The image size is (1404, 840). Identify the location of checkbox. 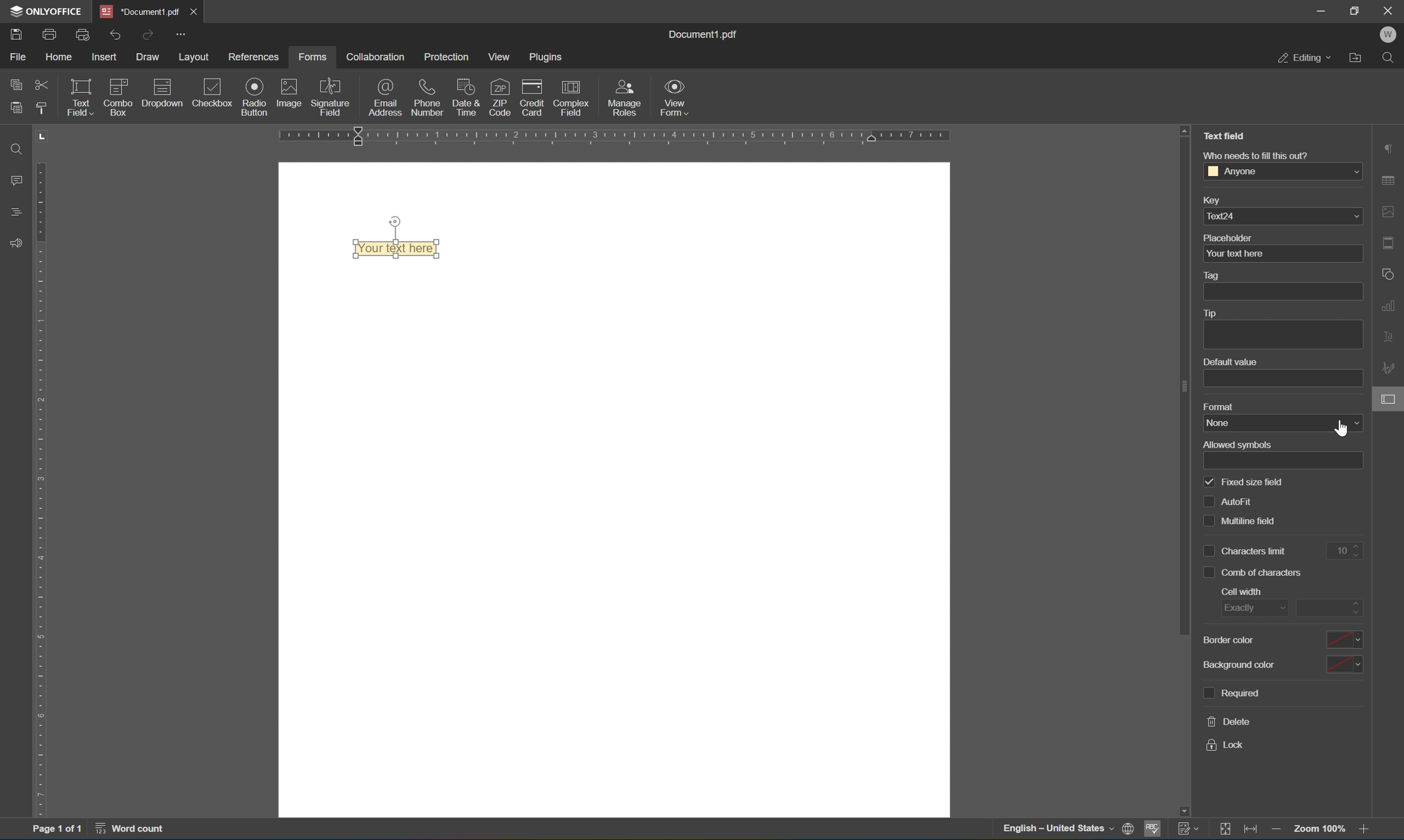
(215, 94).